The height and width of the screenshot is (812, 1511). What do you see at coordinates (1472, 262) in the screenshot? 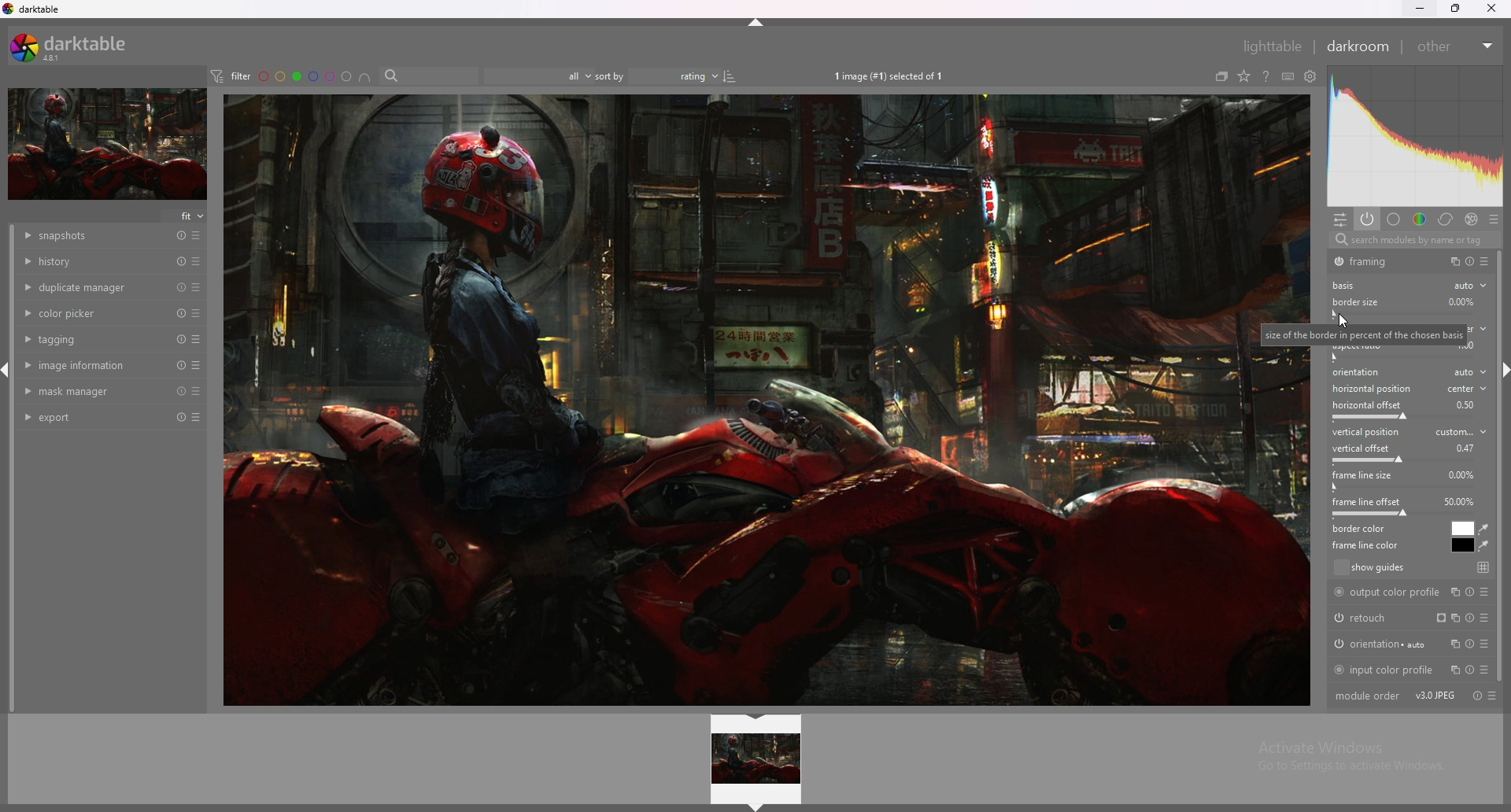
I see `toggle` at bounding box center [1472, 262].